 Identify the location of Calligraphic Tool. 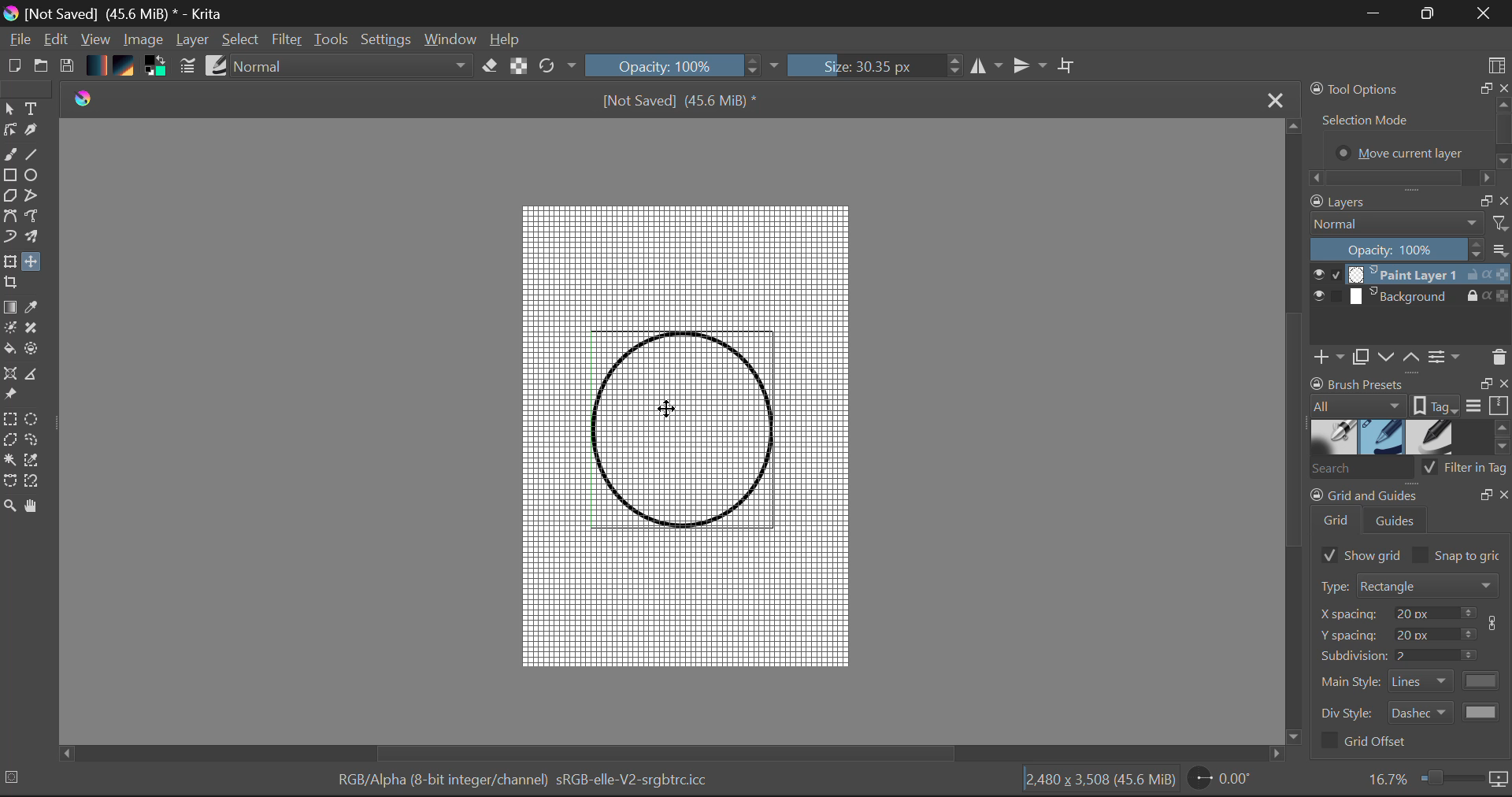
(36, 132).